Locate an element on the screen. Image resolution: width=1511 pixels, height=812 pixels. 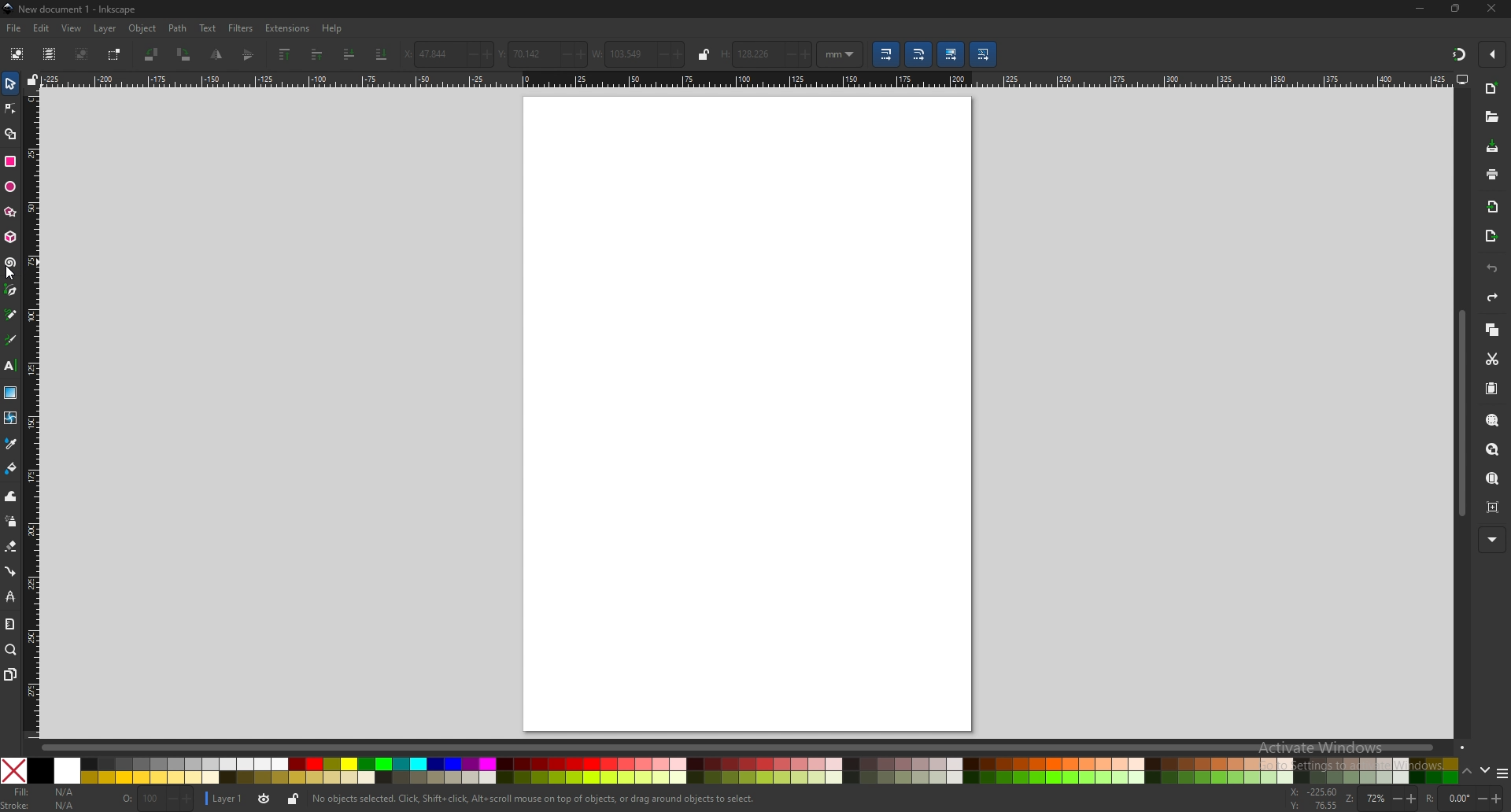
scroll bar is located at coordinates (1459, 416).